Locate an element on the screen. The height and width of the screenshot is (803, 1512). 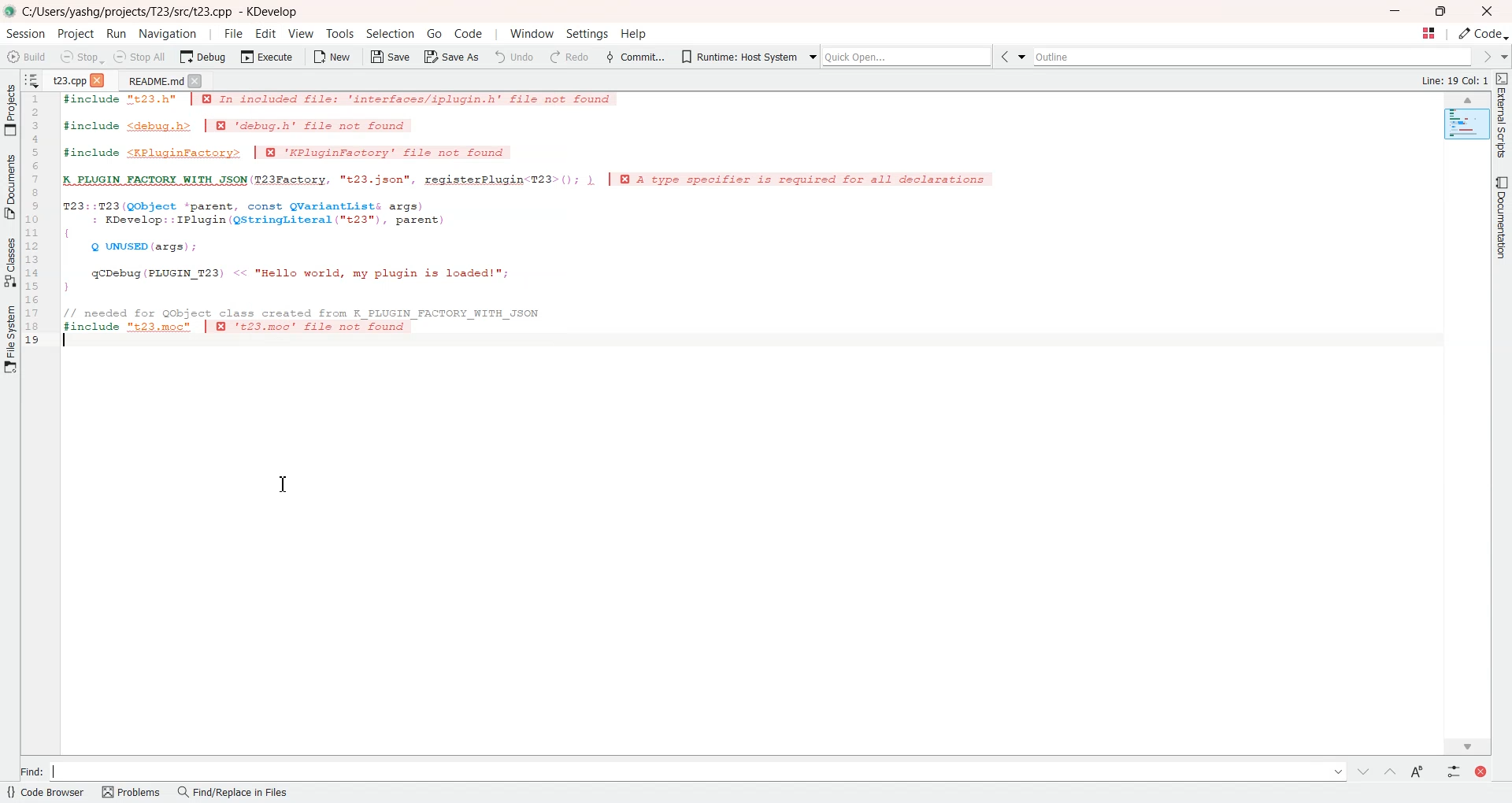
Close is located at coordinates (100, 79).